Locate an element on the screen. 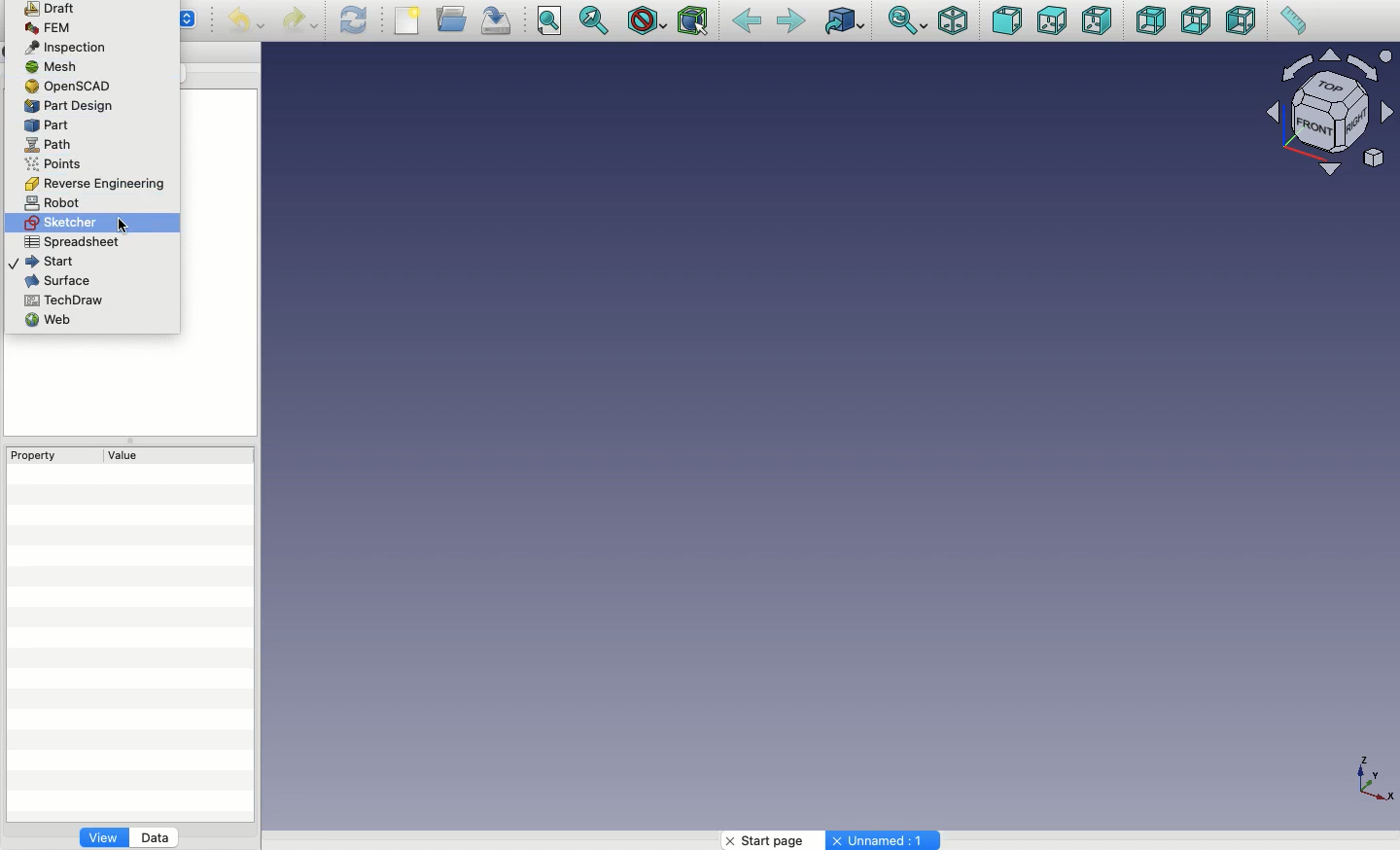  Path is located at coordinates (52, 145).